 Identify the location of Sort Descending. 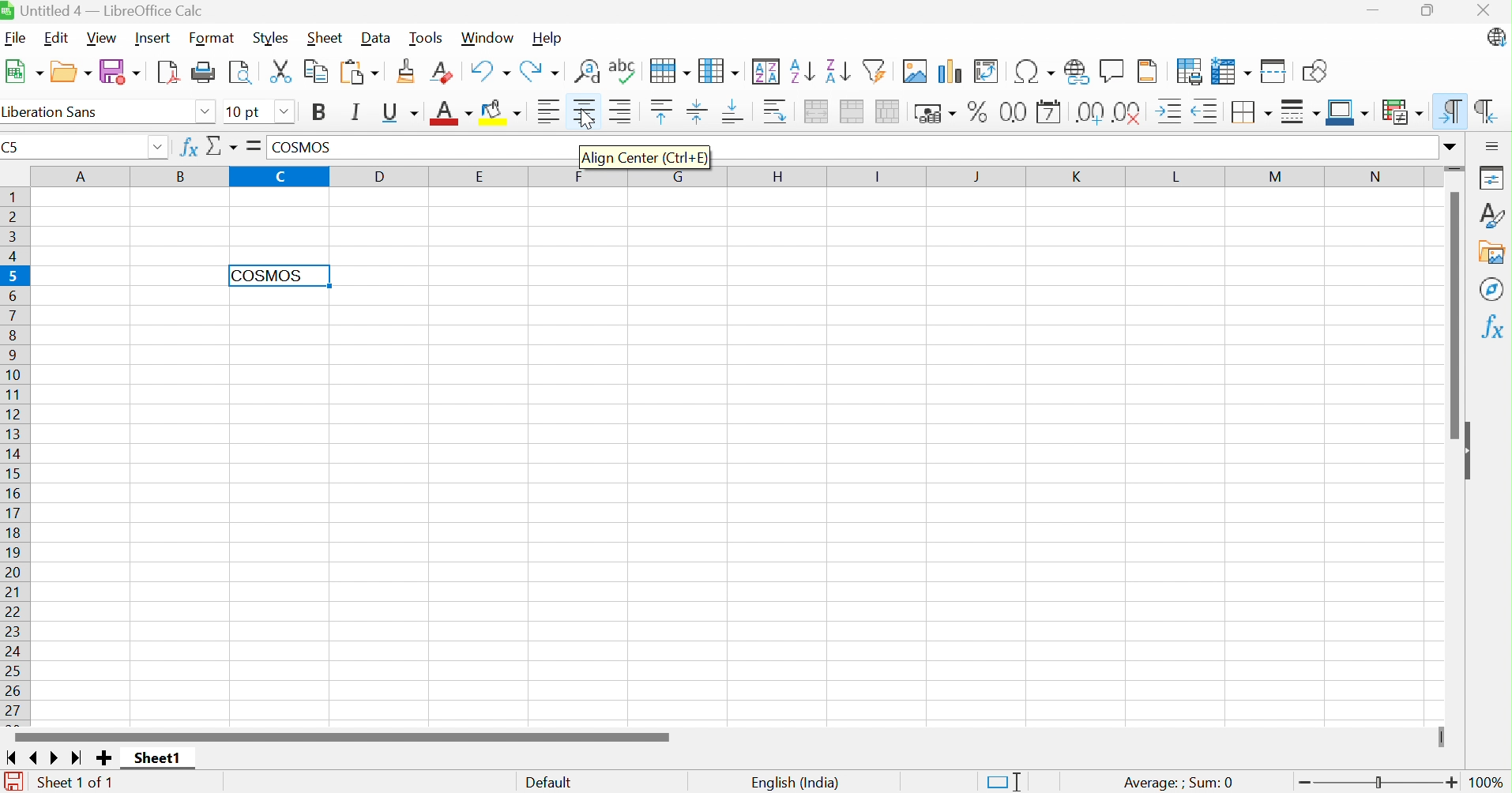
(837, 71).